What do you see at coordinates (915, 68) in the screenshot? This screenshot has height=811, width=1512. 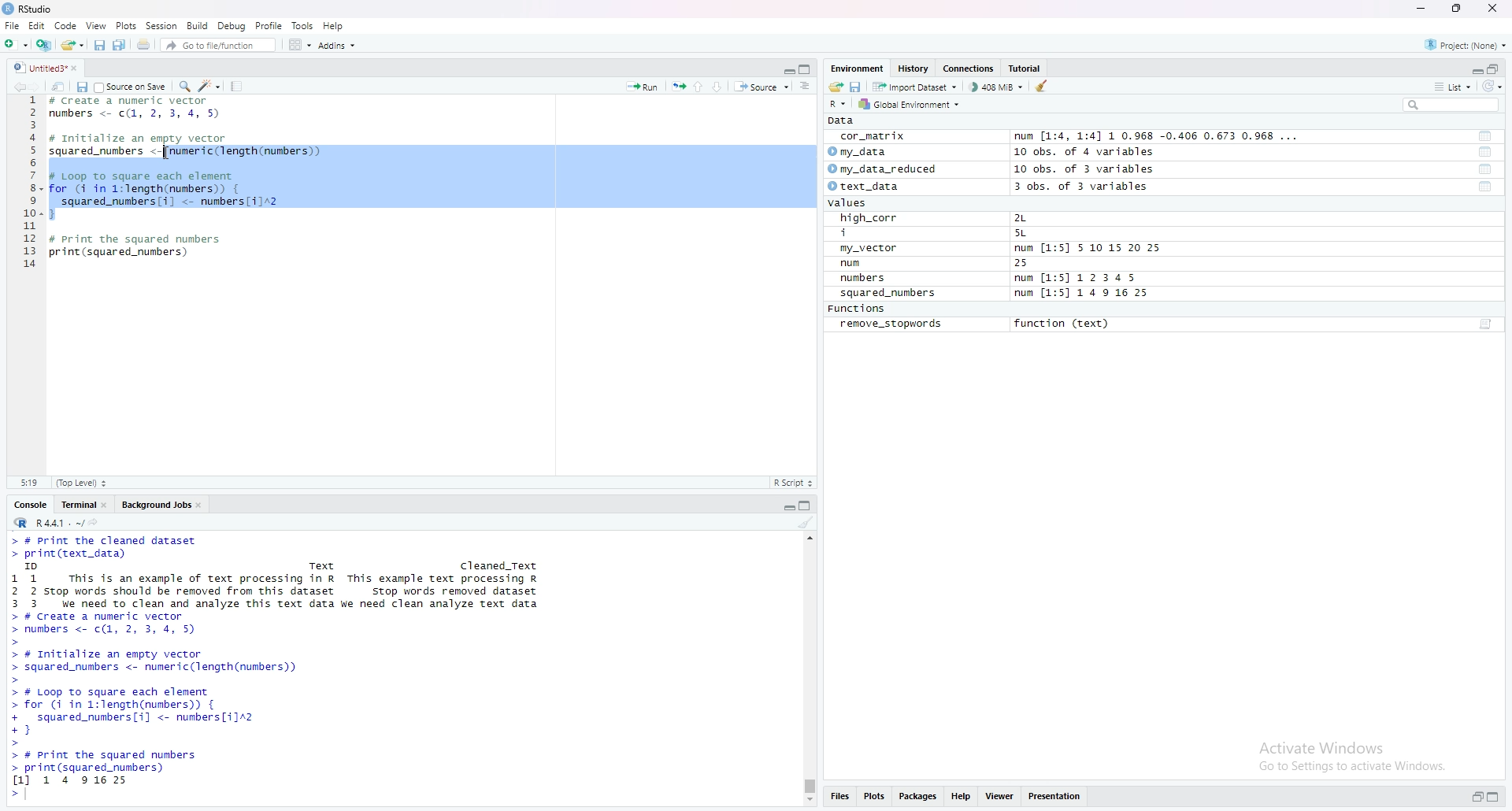 I see `History.` at bounding box center [915, 68].